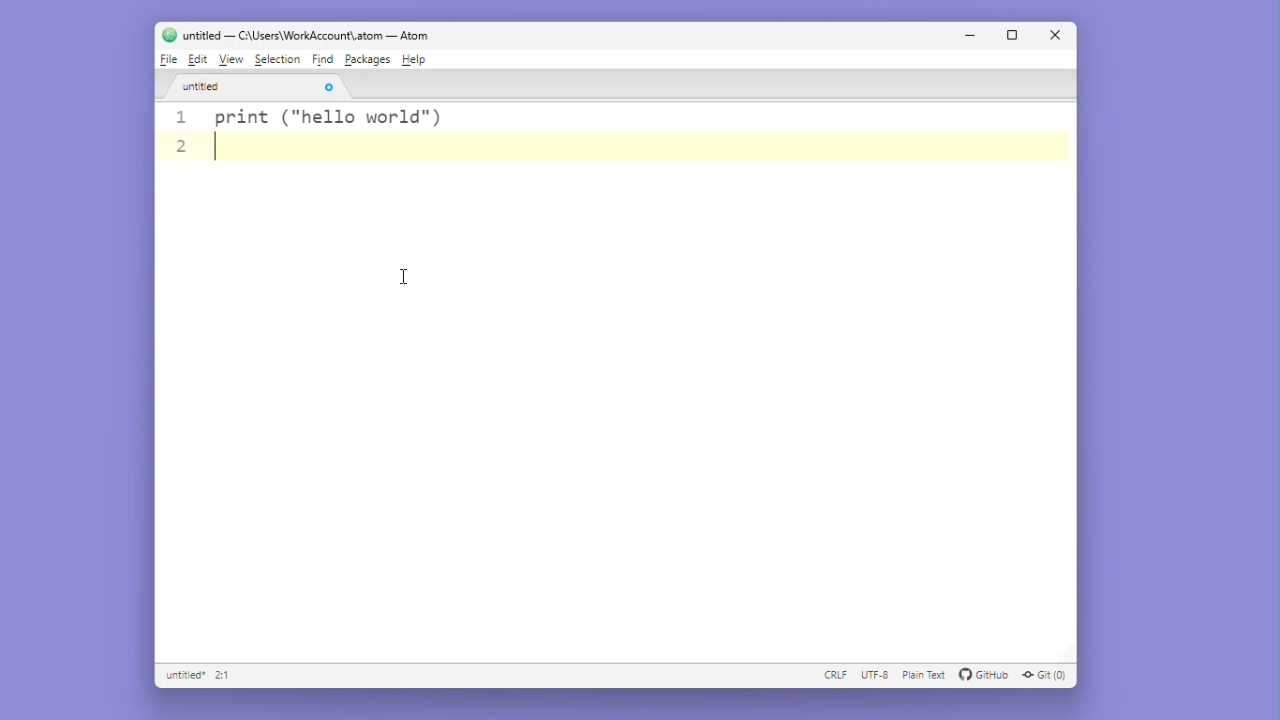 The image size is (1280, 720). I want to click on 2:1, so click(224, 676).